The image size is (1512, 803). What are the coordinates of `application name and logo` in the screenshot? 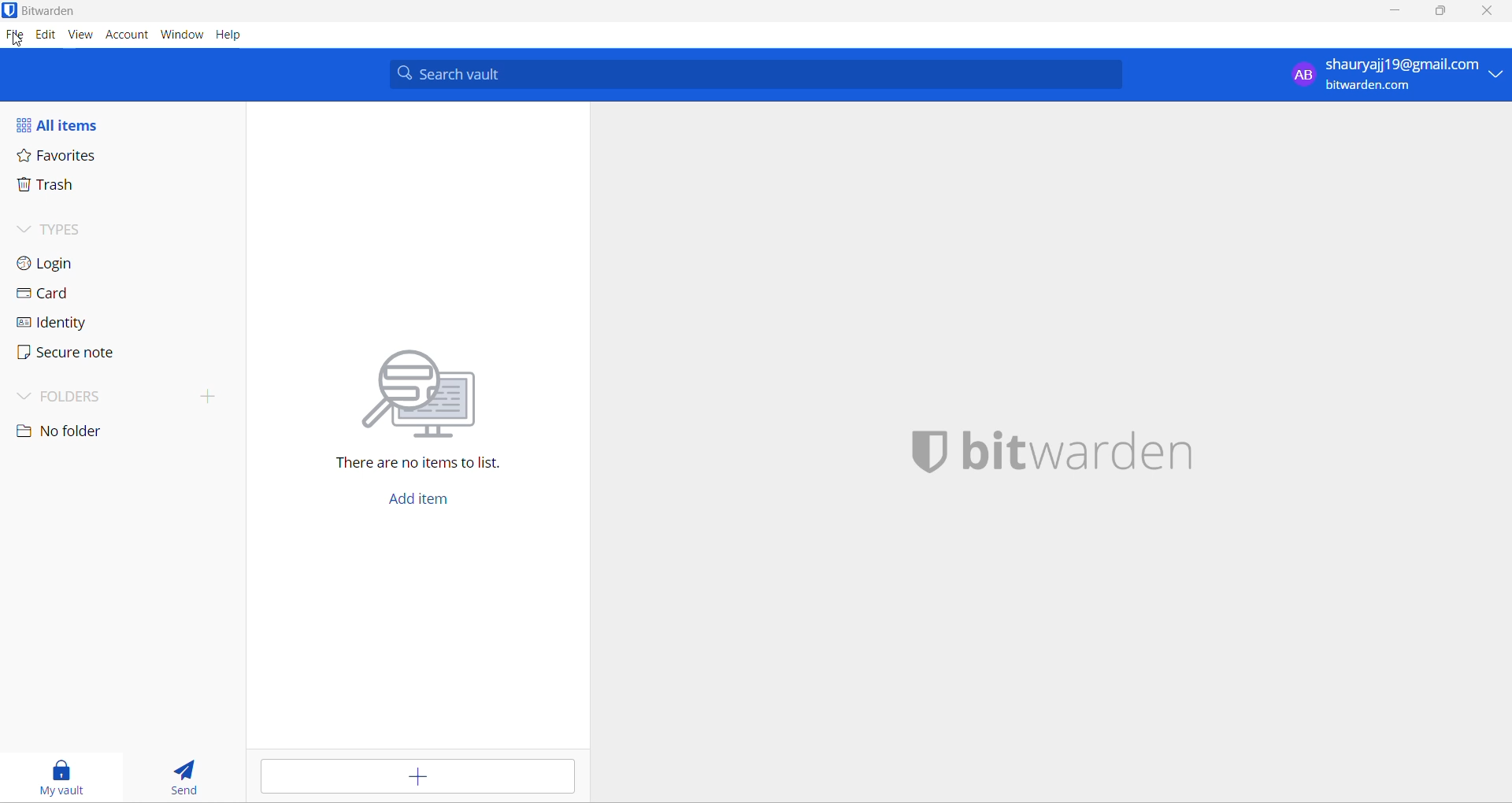 It's located at (46, 9).